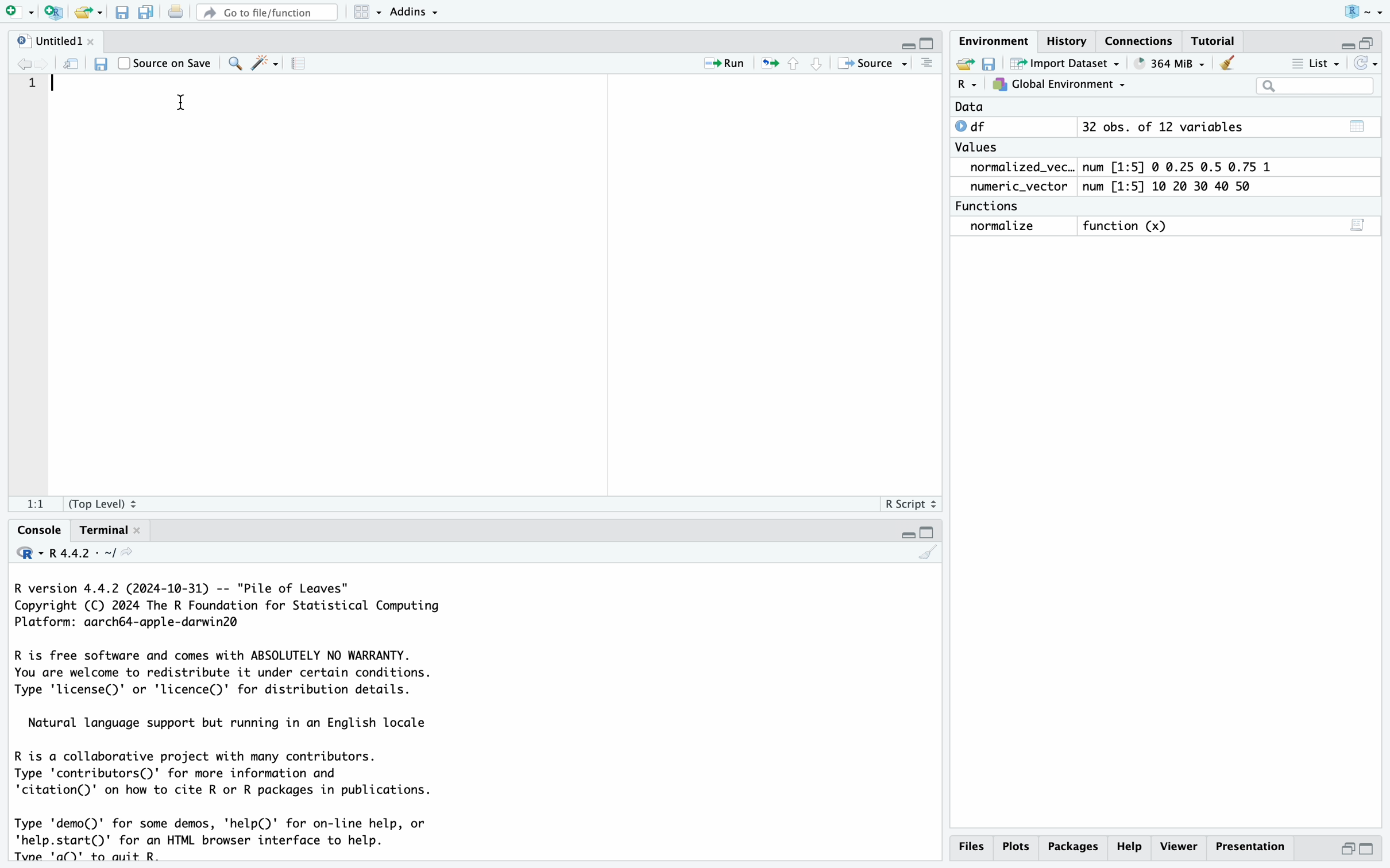 This screenshot has width=1390, height=868. I want to click on Save, so click(122, 13).